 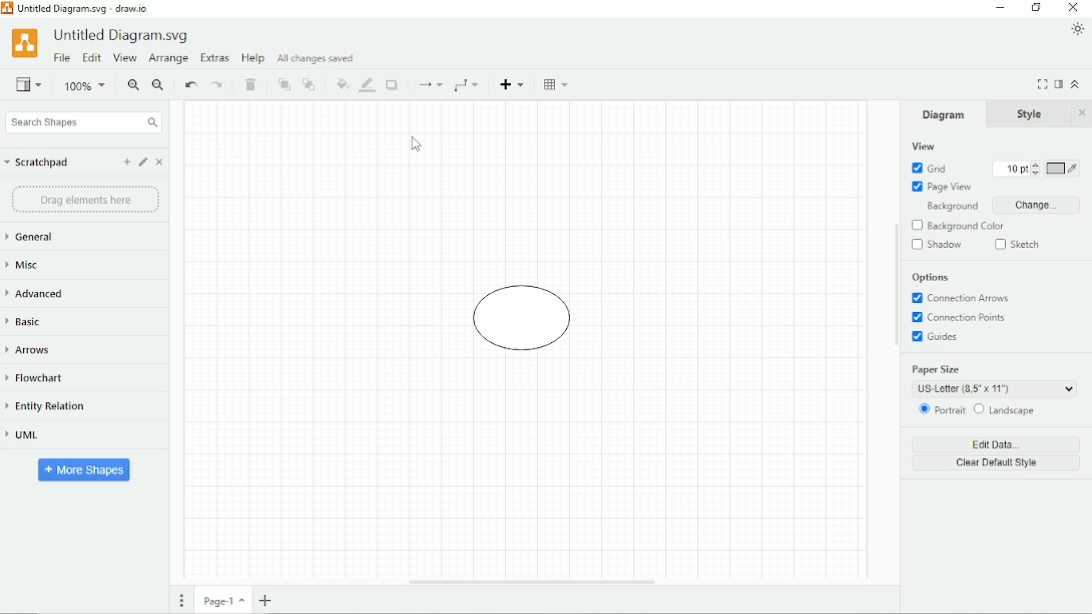 I want to click on Arrows, so click(x=35, y=352).